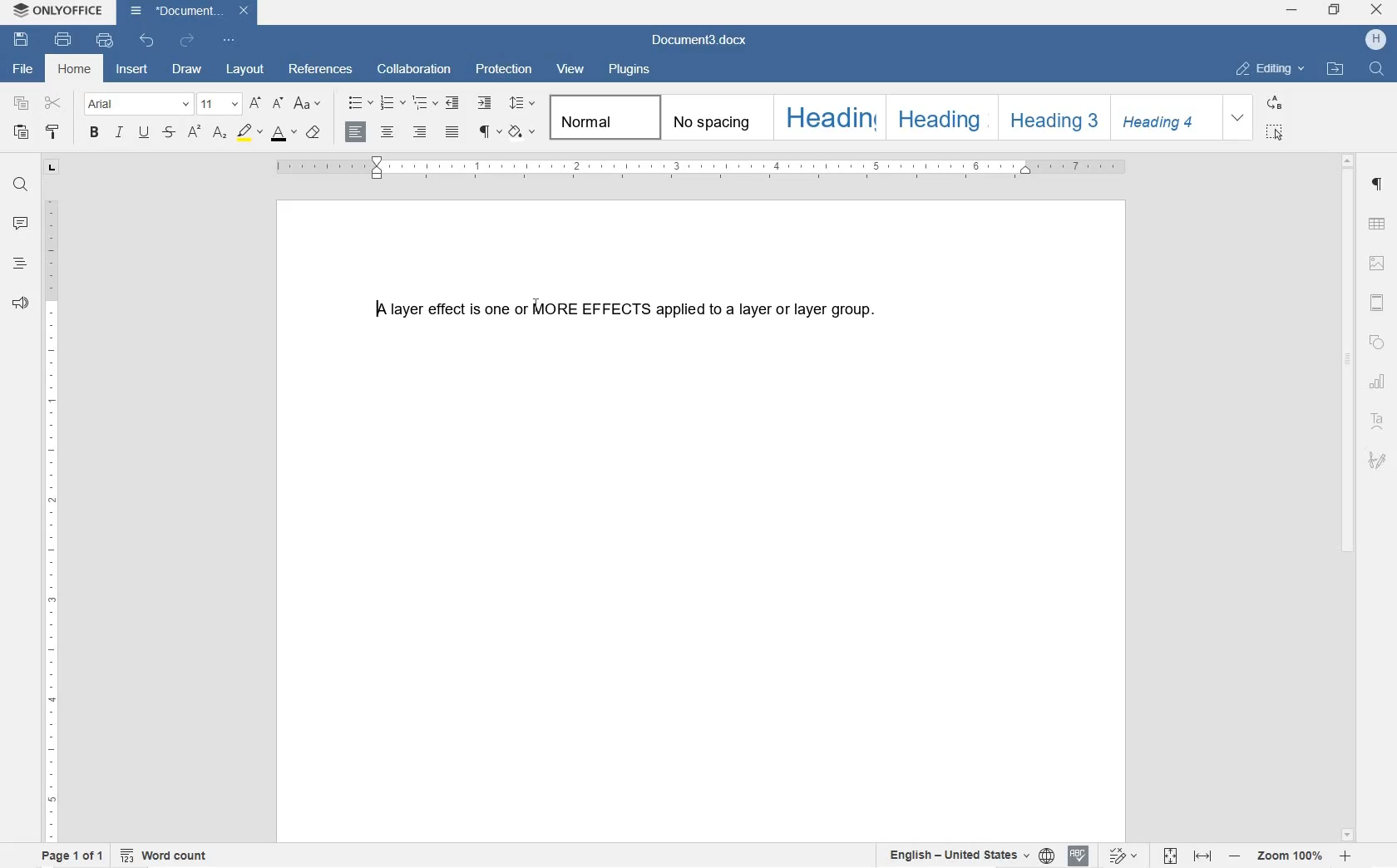 This screenshot has height=868, width=1397. I want to click on document3.docx, so click(187, 11).